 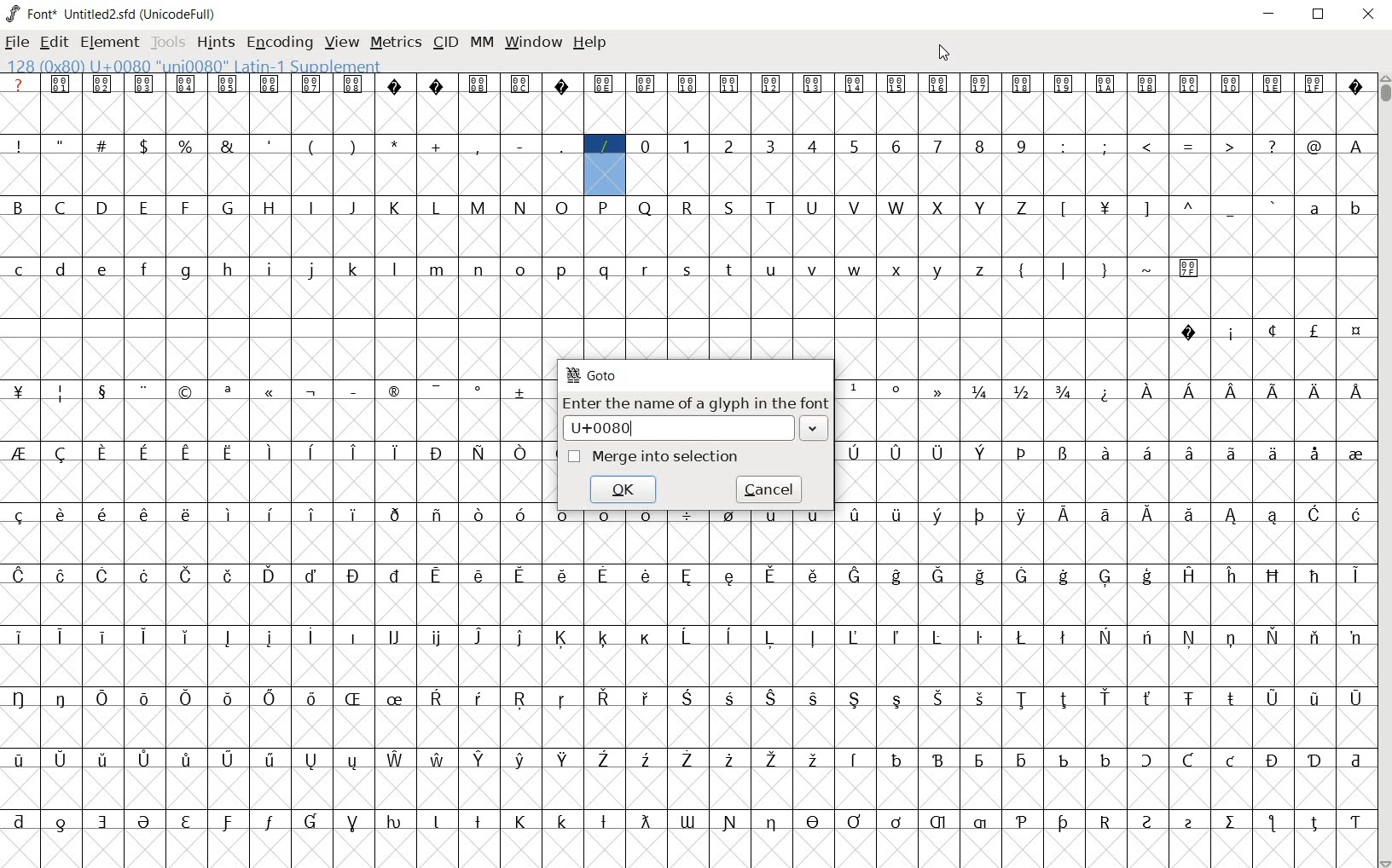 I want to click on glyph, so click(x=1064, y=391).